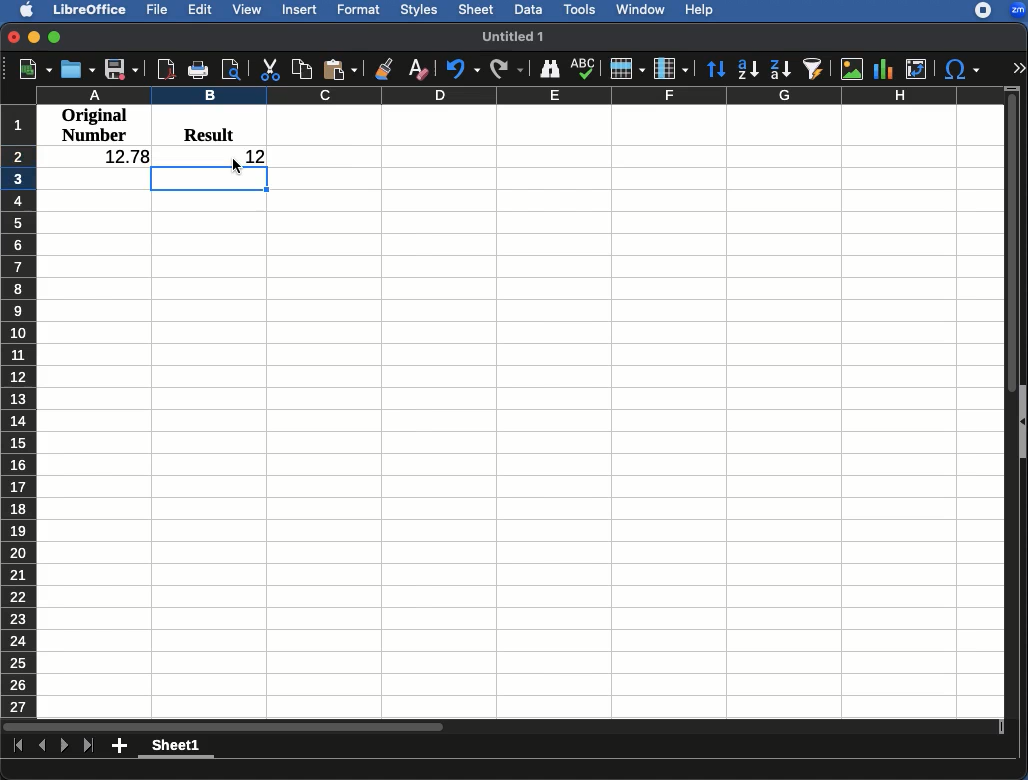 This screenshot has height=780, width=1028. I want to click on Expand, so click(1019, 69).